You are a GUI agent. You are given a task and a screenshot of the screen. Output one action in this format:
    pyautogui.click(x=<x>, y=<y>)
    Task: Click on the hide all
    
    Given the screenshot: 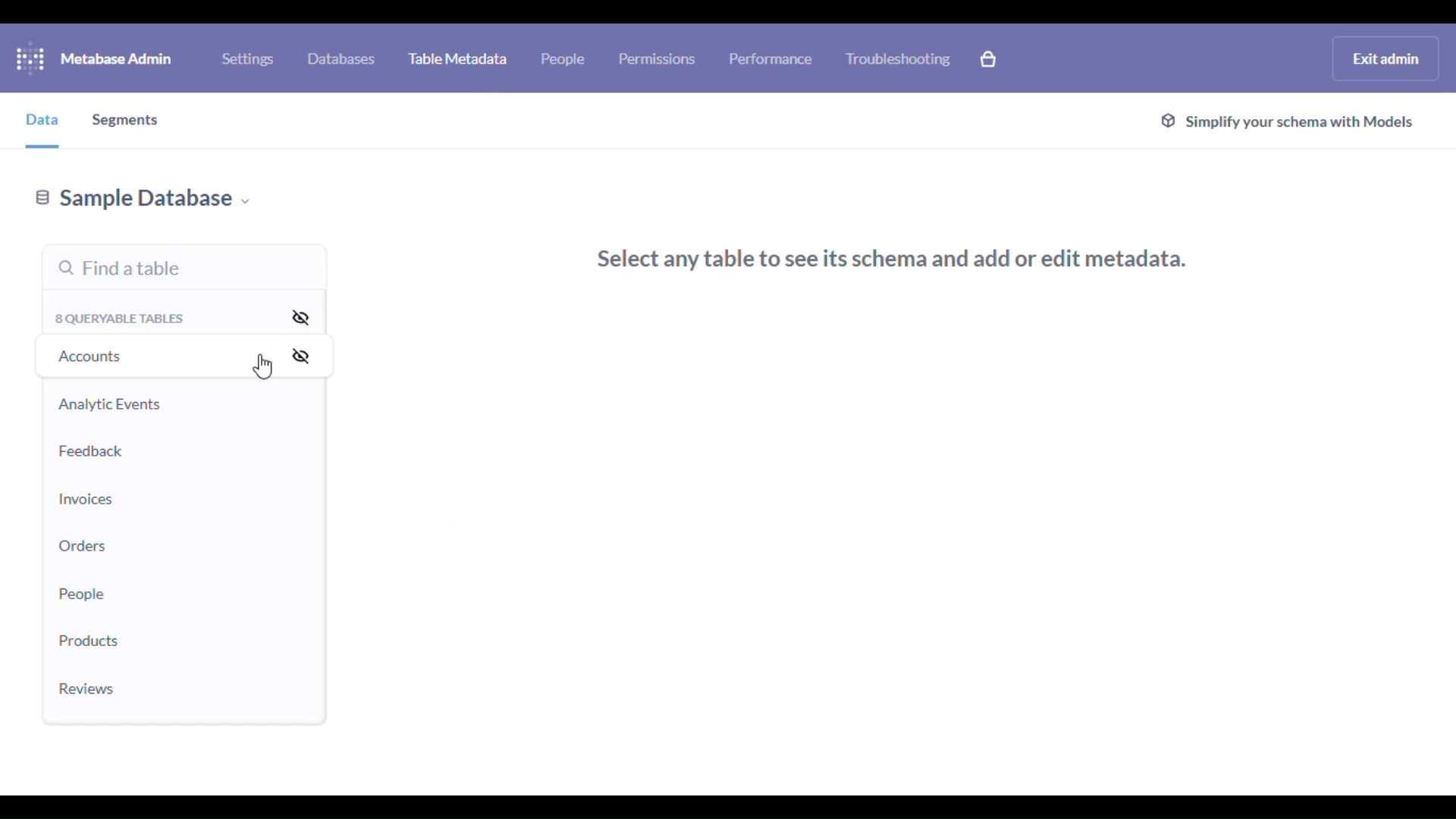 What is the action you would take?
    pyautogui.click(x=300, y=316)
    